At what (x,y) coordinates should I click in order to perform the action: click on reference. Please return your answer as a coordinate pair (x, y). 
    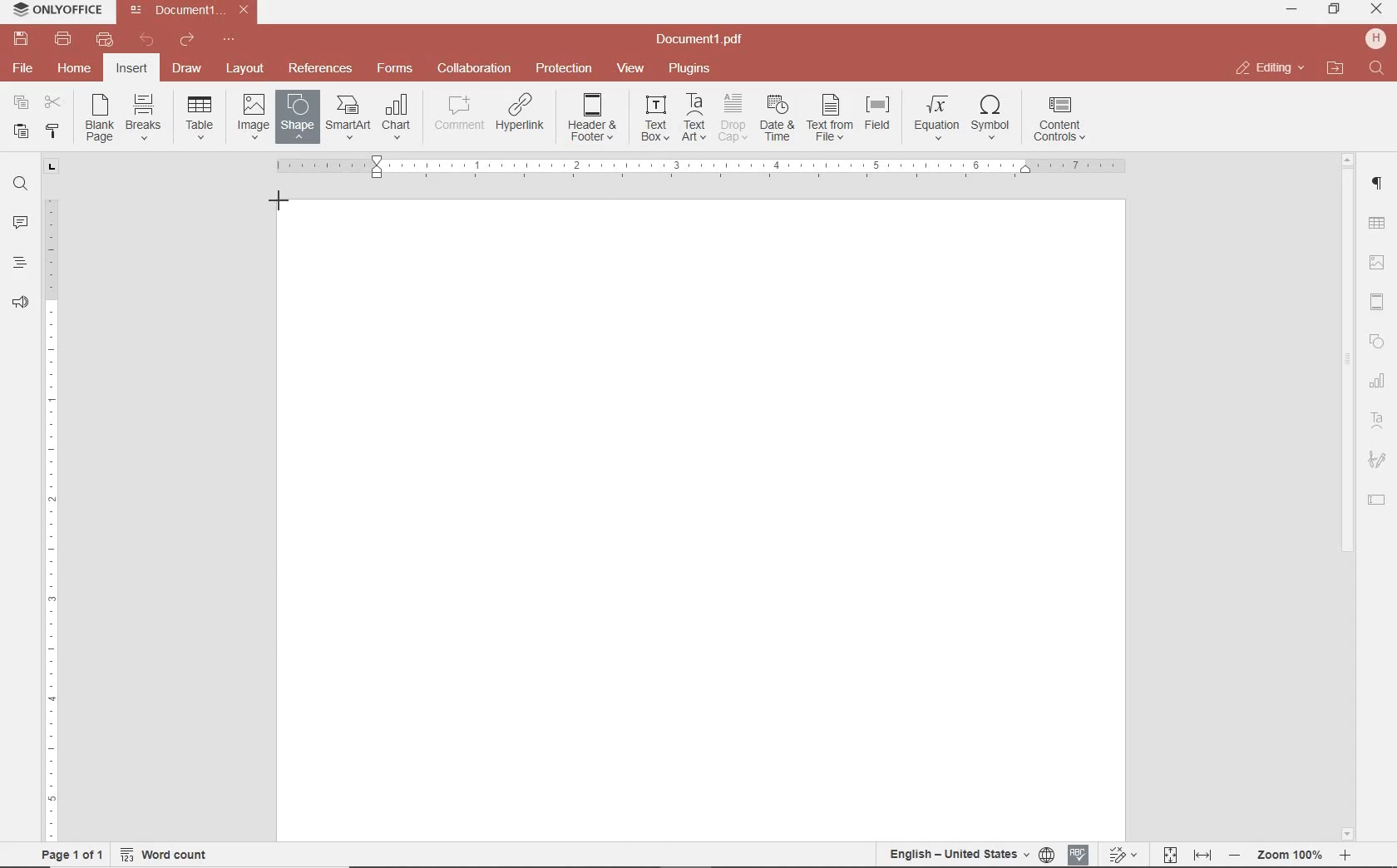
    Looking at the image, I should click on (318, 69).